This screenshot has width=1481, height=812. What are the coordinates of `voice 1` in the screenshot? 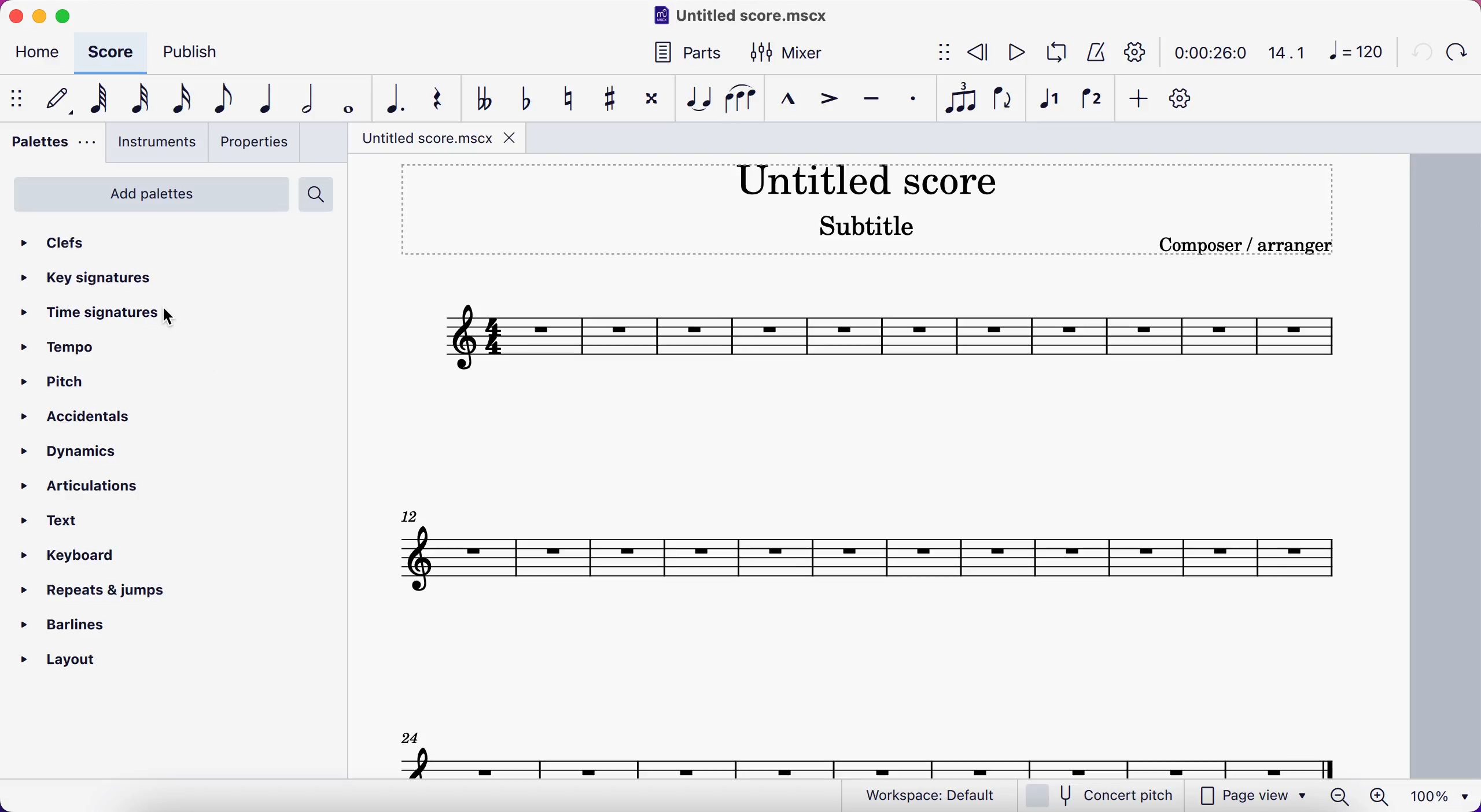 It's located at (1047, 98).